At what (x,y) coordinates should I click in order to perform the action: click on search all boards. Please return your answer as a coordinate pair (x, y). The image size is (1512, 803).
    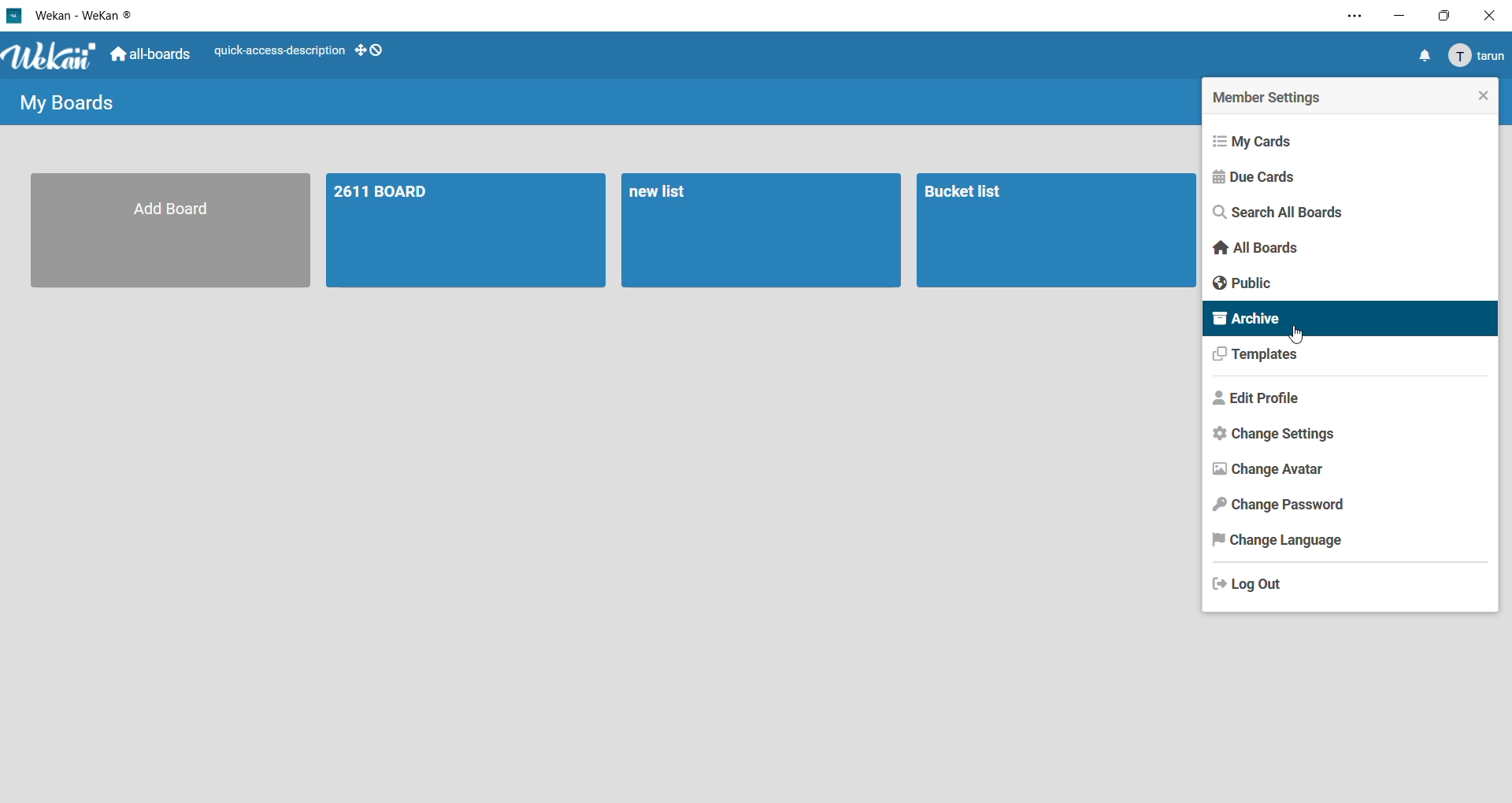
    Looking at the image, I should click on (1285, 214).